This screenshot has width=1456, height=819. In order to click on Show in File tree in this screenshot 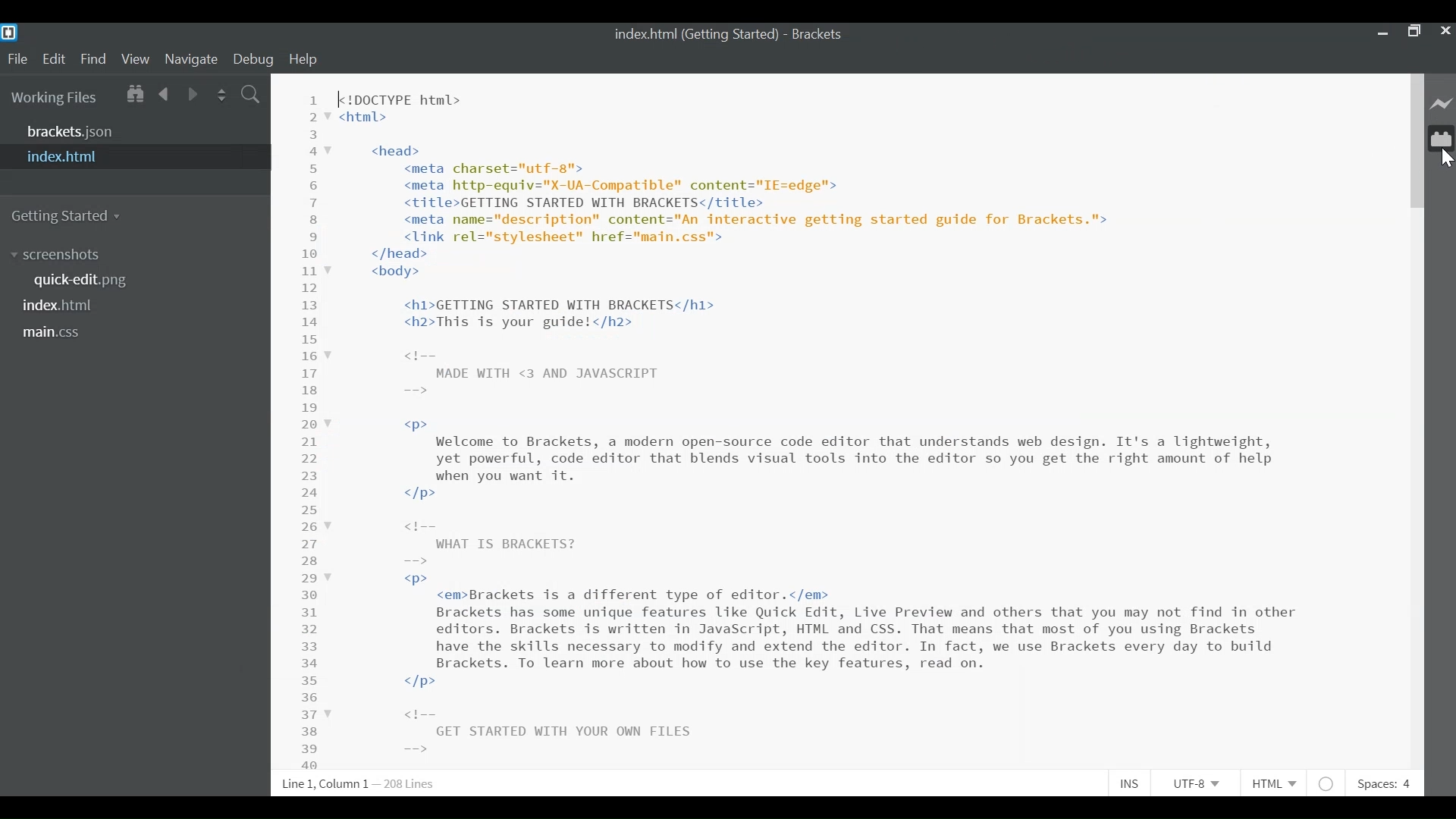, I will do `click(136, 94)`.